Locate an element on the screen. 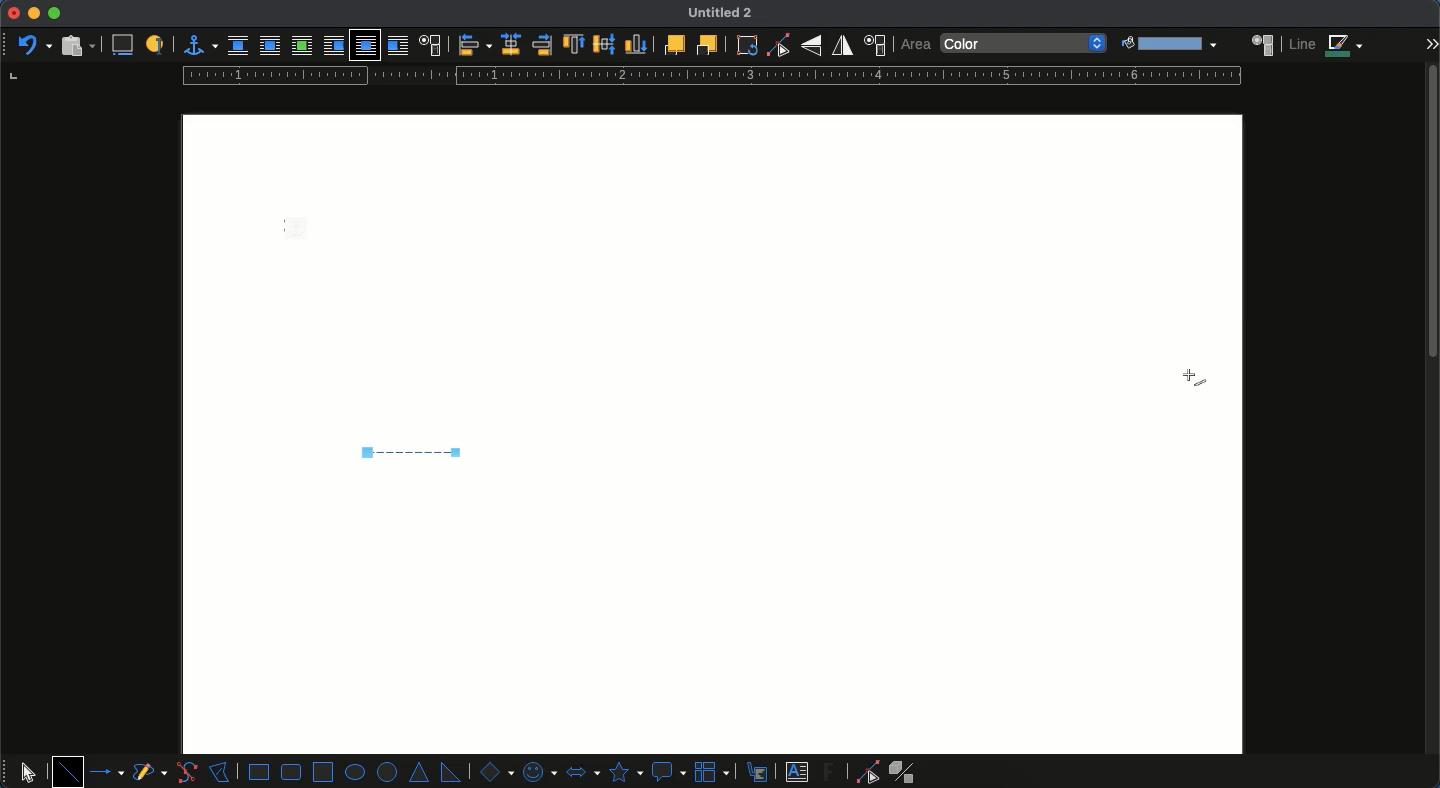 The image size is (1440, 788). text wrap is located at coordinates (429, 44).